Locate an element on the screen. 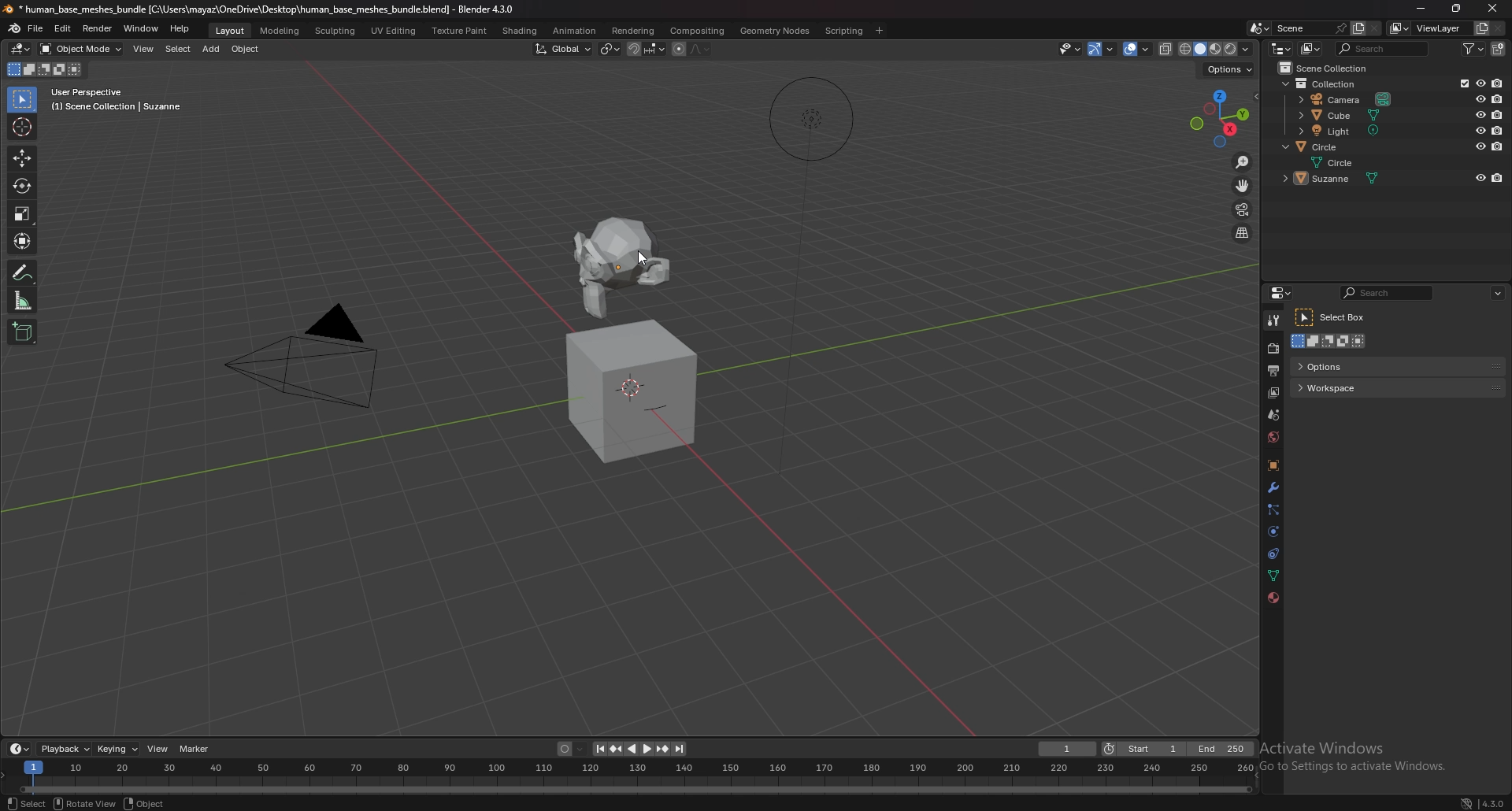  physics is located at coordinates (1275, 531).